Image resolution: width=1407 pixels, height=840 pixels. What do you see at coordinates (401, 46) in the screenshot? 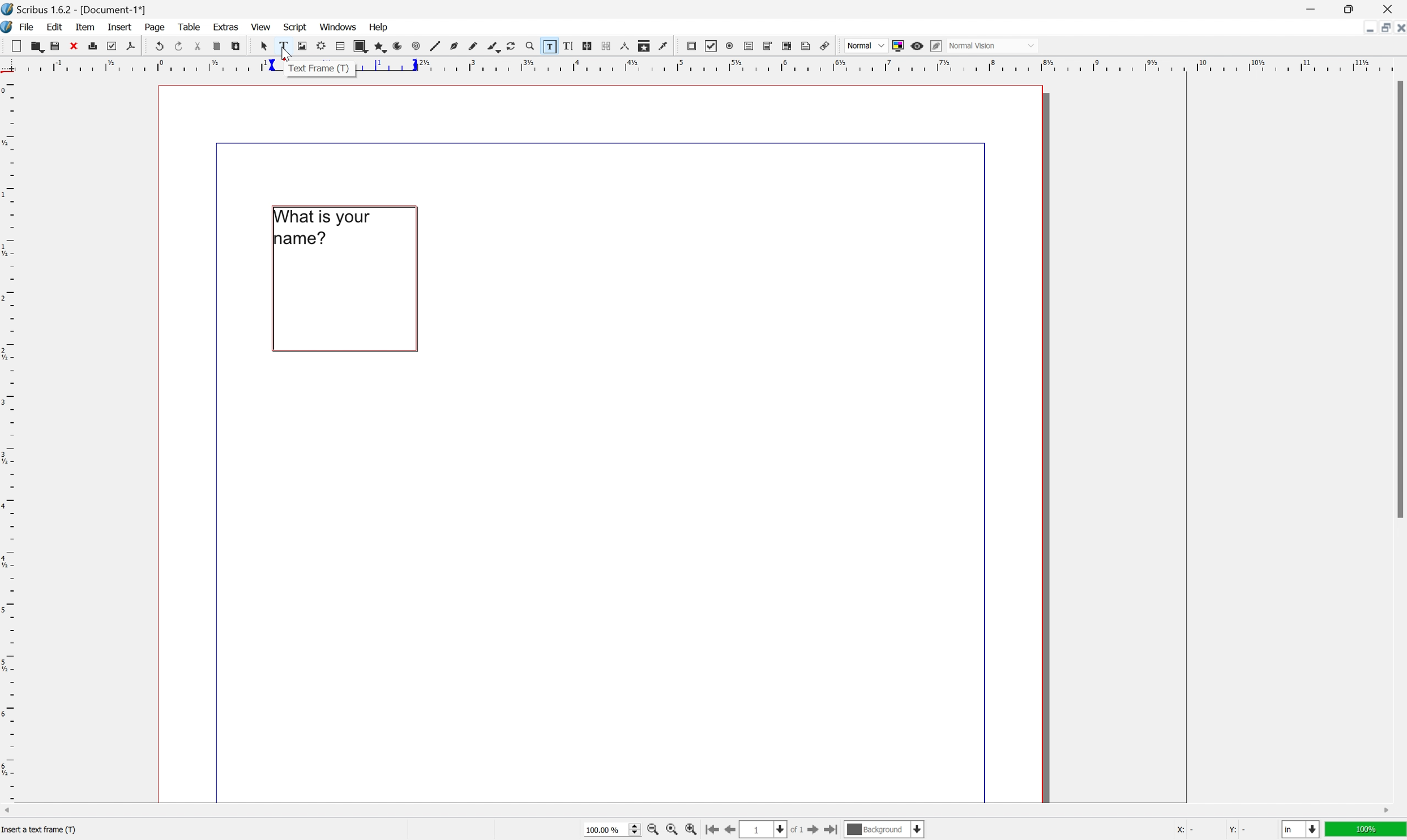
I see `spiral` at bounding box center [401, 46].